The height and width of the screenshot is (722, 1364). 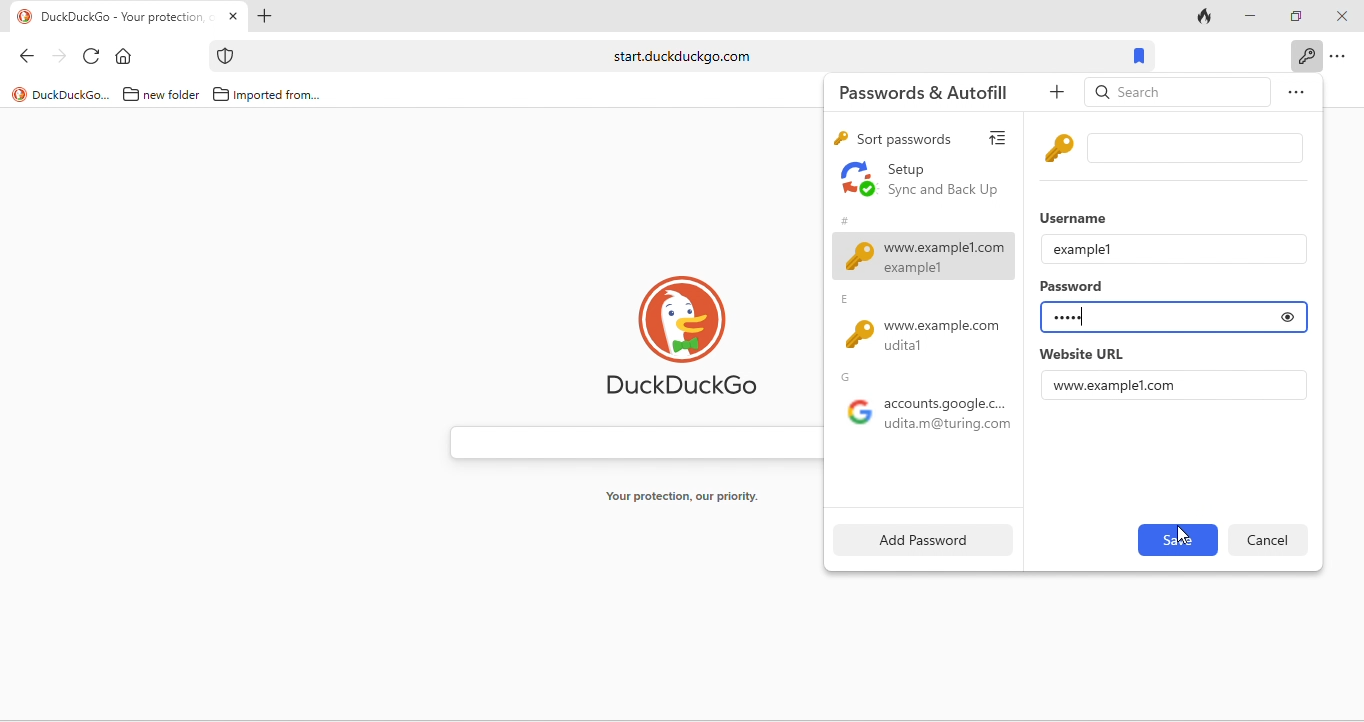 What do you see at coordinates (1288, 317) in the screenshot?
I see `toggle show or hide password` at bounding box center [1288, 317].